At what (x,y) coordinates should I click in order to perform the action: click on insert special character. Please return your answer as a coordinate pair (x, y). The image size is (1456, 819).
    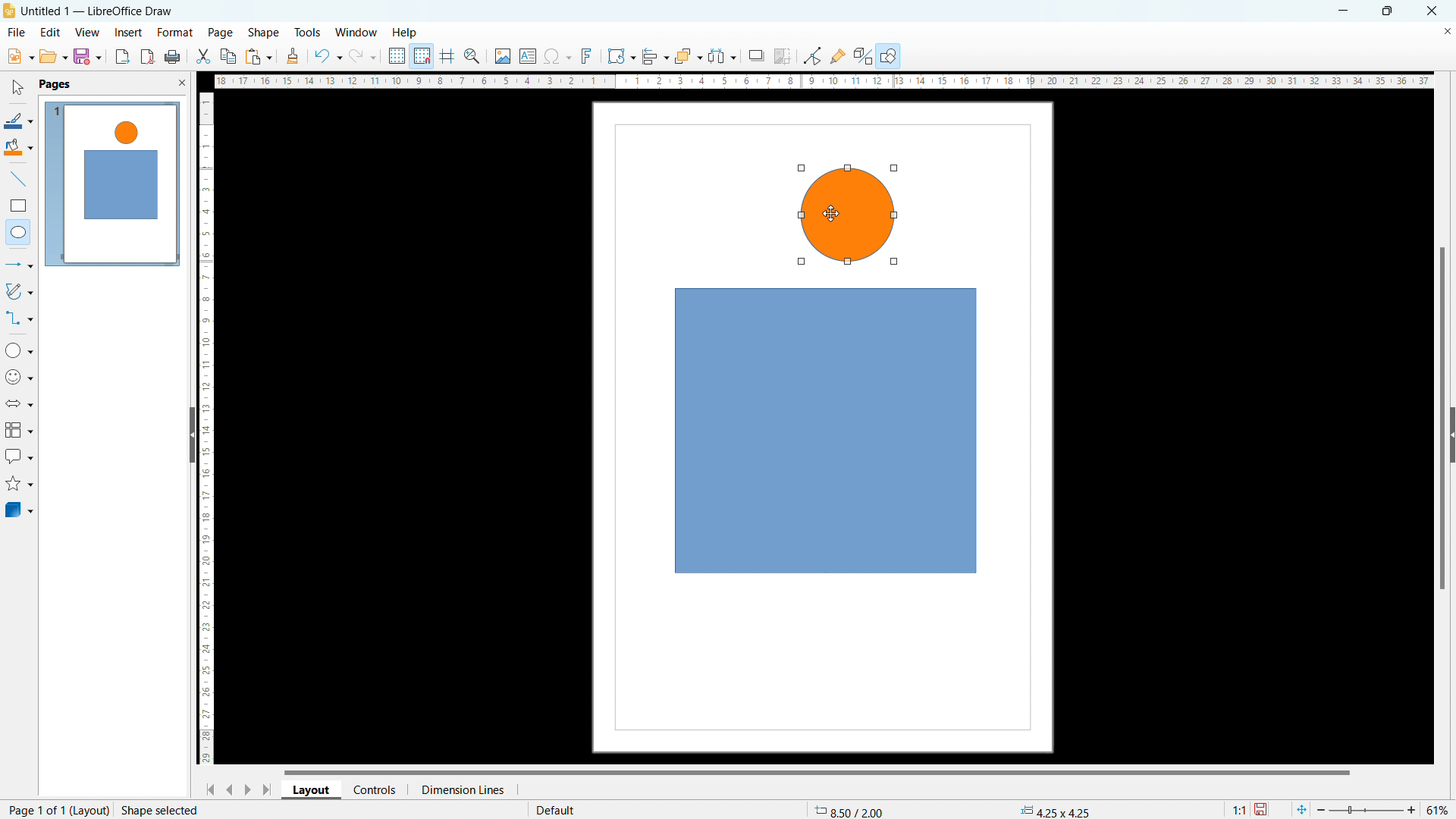
    Looking at the image, I should click on (558, 56).